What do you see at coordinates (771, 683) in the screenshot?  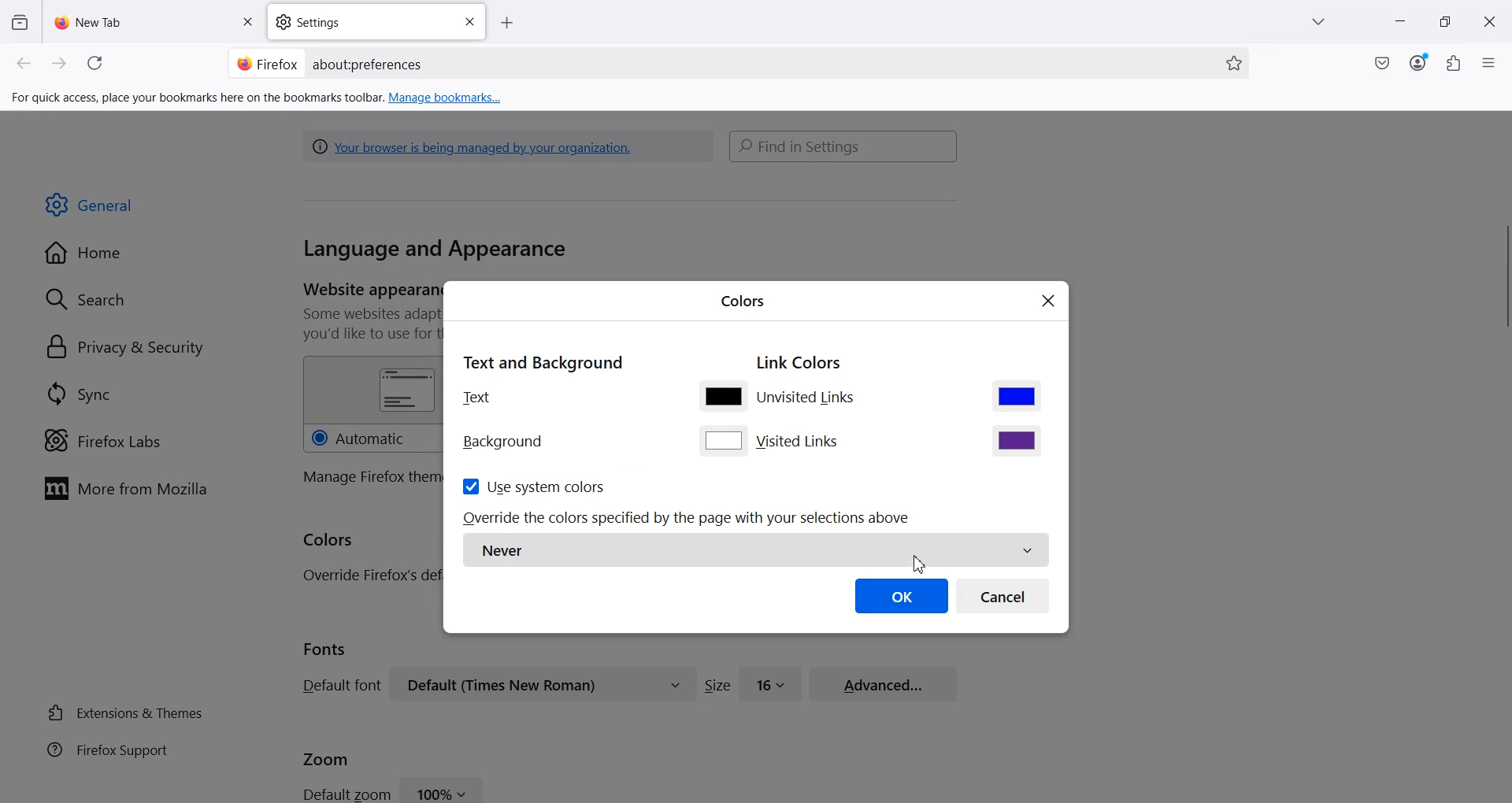 I see `16` at bounding box center [771, 683].